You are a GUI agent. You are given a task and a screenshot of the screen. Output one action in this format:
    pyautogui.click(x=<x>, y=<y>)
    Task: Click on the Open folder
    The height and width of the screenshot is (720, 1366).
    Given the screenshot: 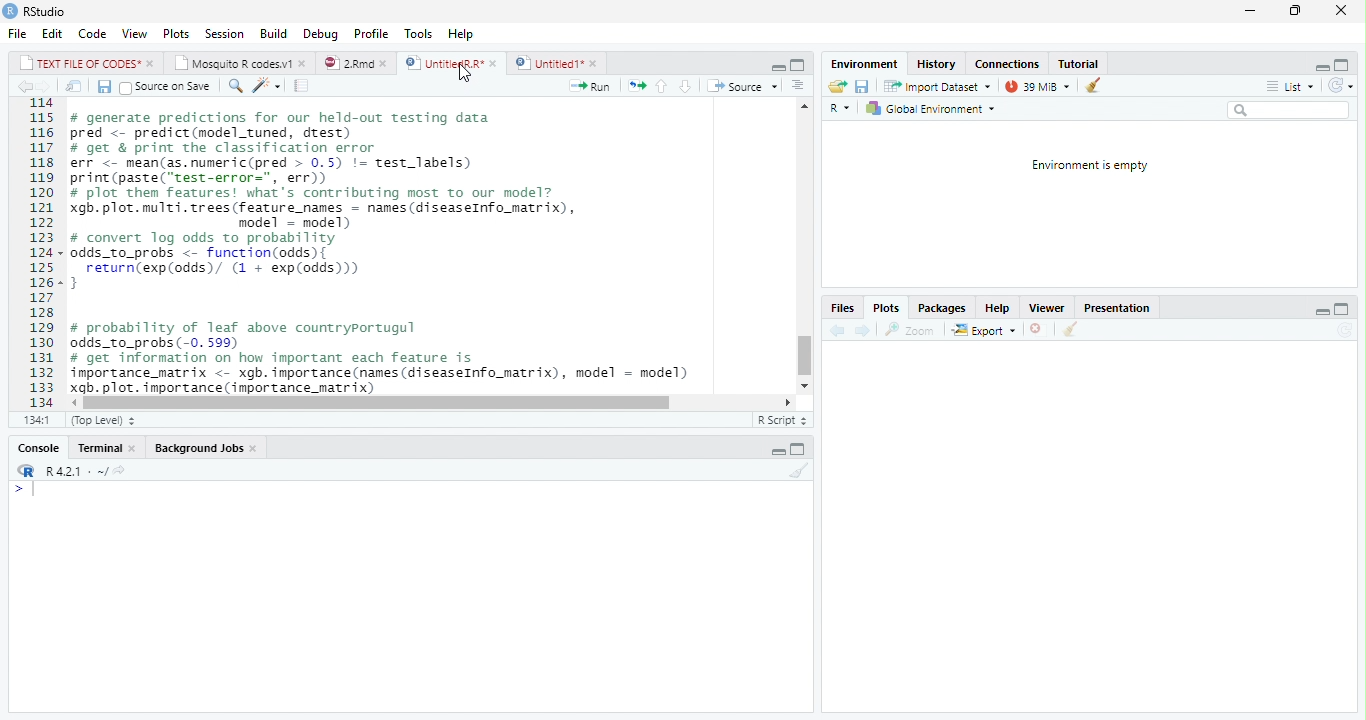 What is the action you would take?
    pyautogui.click(x=837, y=85)
    